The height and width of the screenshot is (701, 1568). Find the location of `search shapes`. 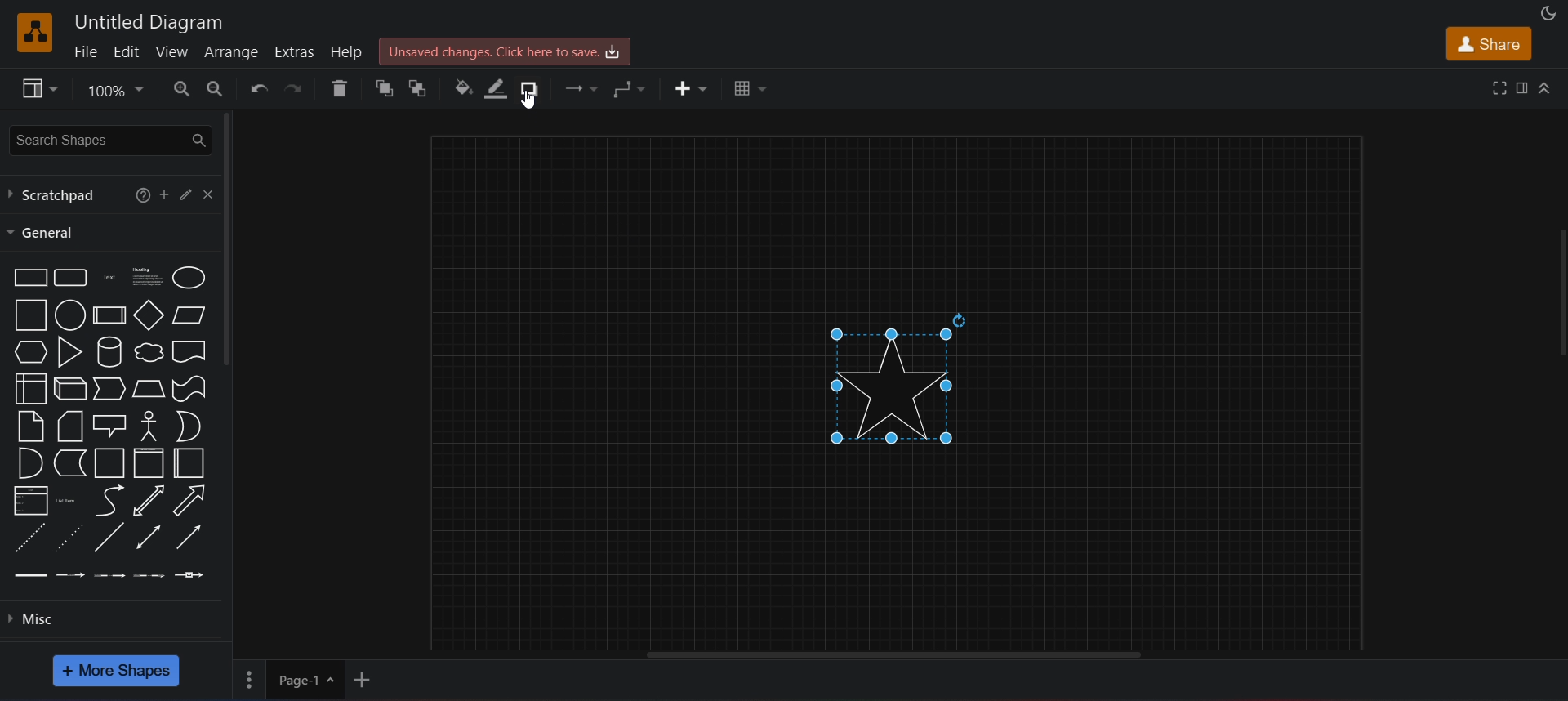

search shapes is located at coordinates (105, 138).